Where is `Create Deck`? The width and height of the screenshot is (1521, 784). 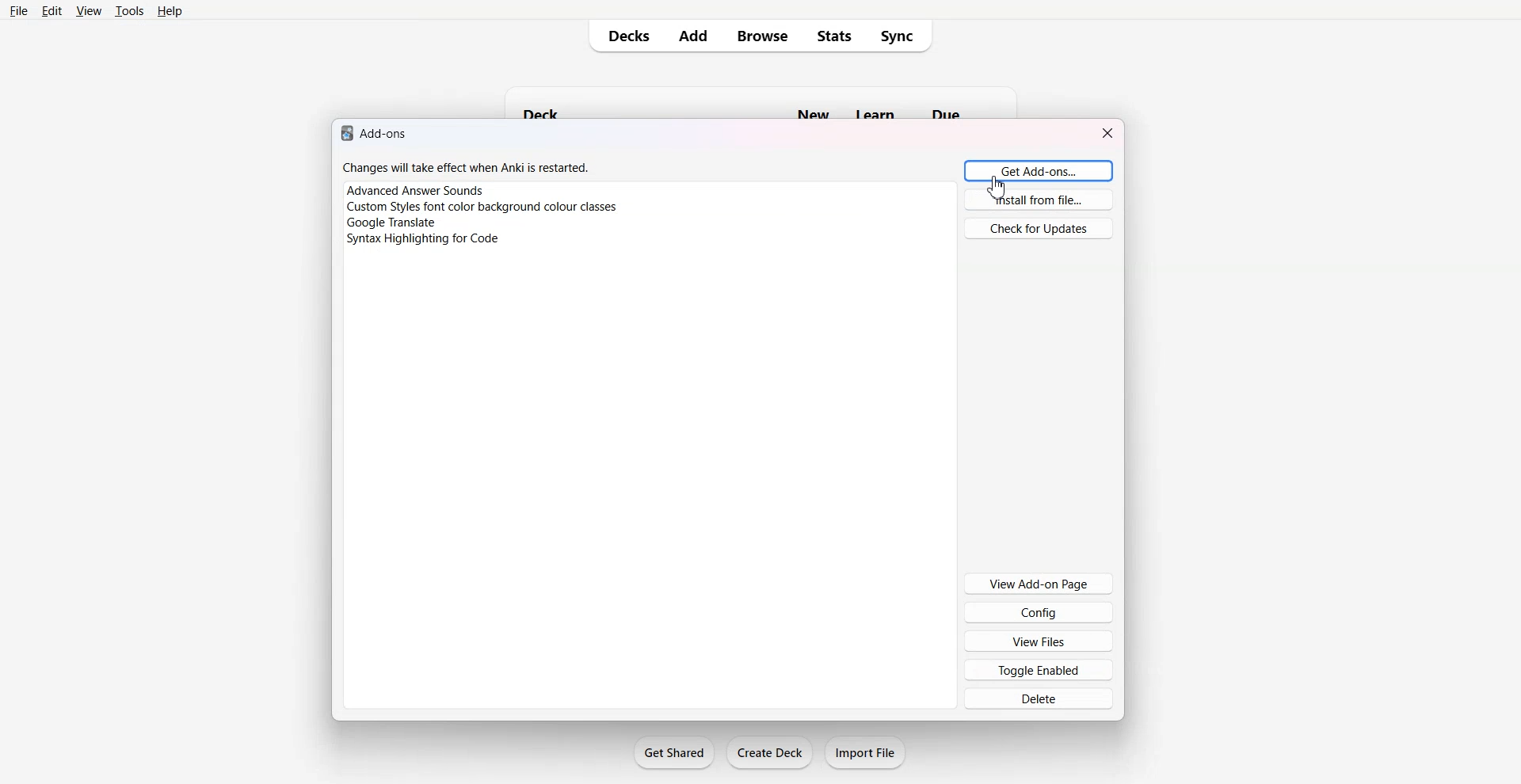
Create Deck is located at coordinates (769, 752).